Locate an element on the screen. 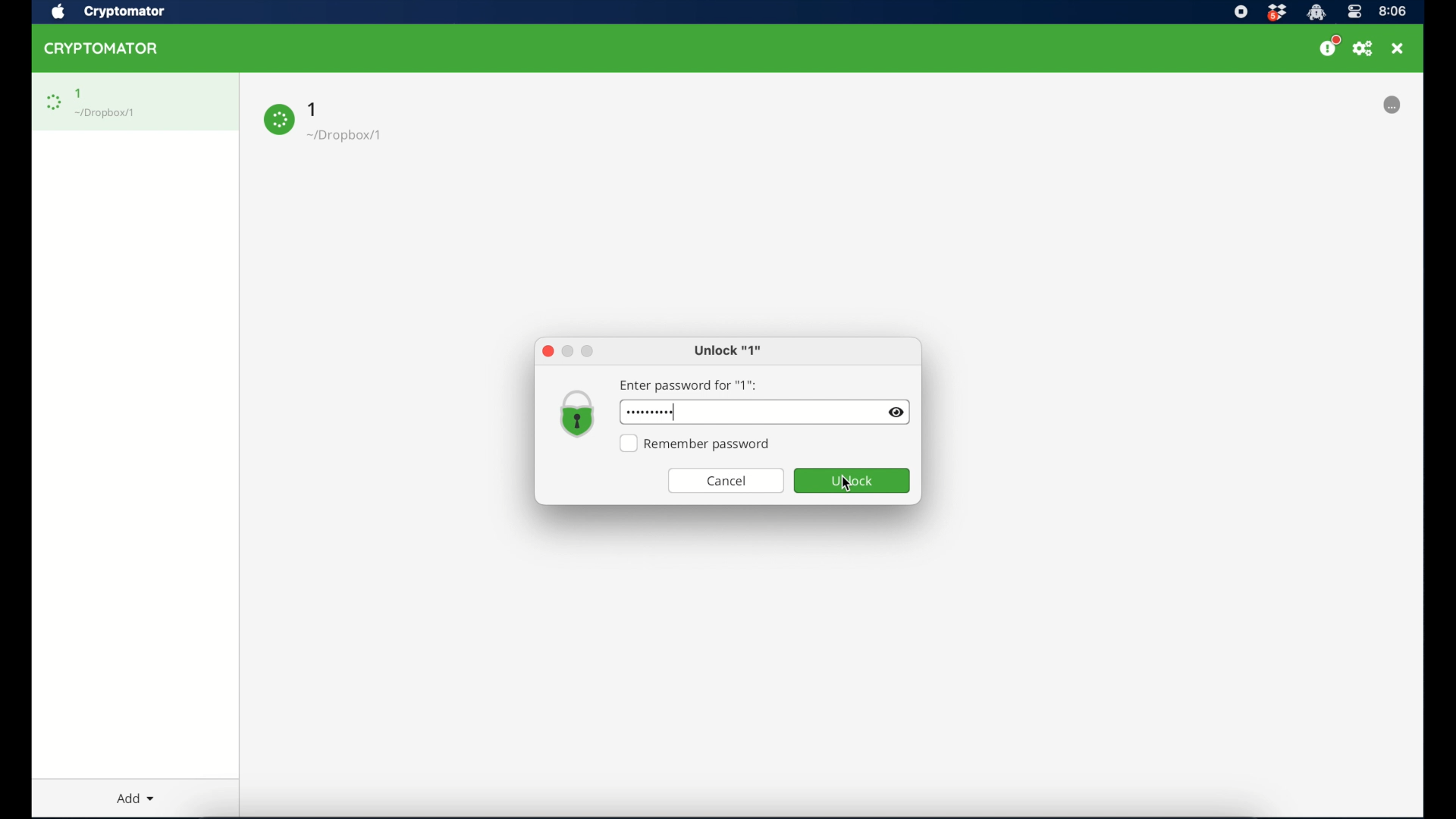 The height and width of the screenshot is (819, 1456). cursor is located at coordinates (852, 491).